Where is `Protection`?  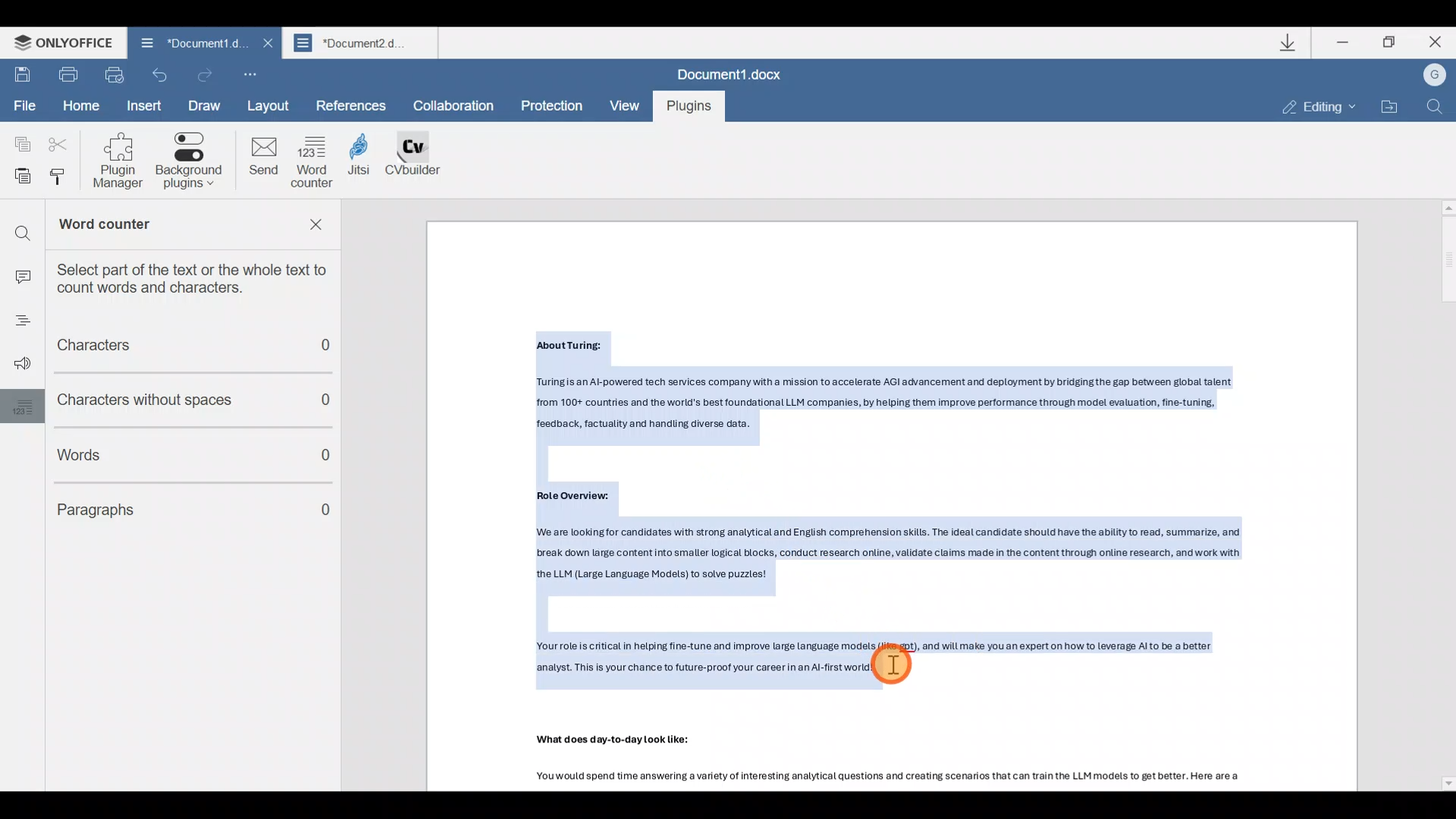 Protection is located at coordinates (551, 105).